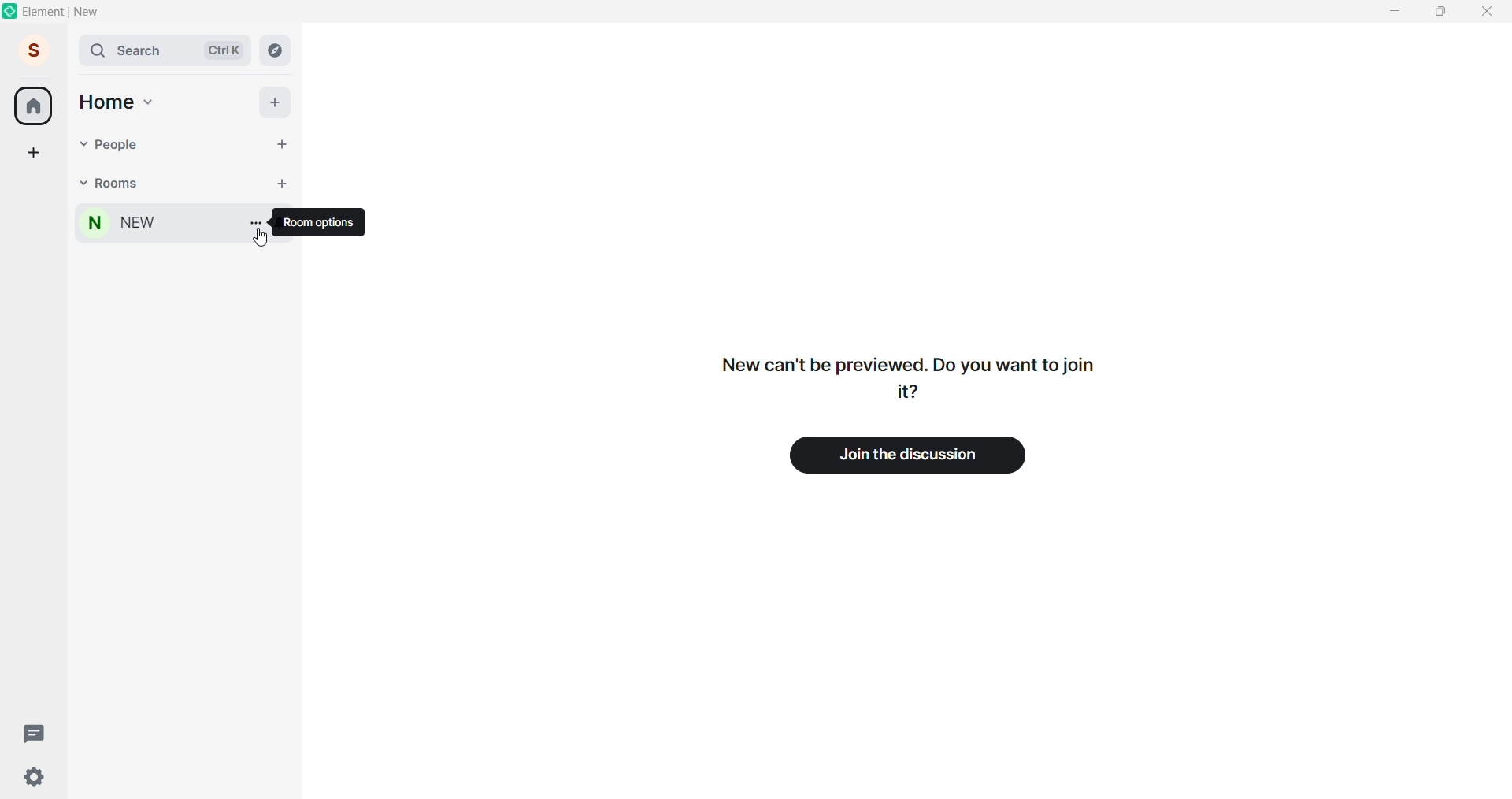 The image size is (1512, 799). Describe the element at coordinates (273, 100) in the screenshot. I see `add` at that location.